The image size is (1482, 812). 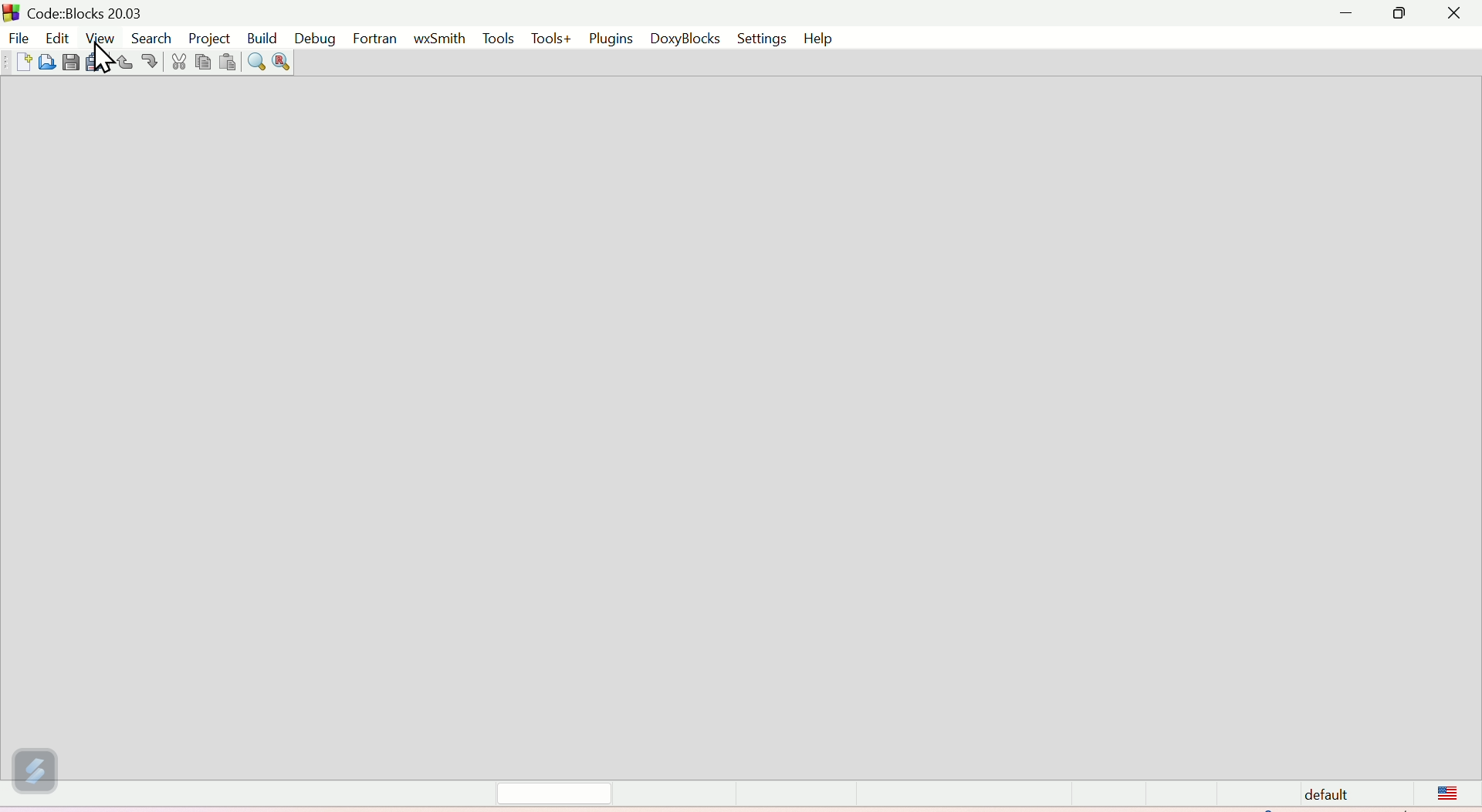 I want to click on , so click(x=69, y=64).